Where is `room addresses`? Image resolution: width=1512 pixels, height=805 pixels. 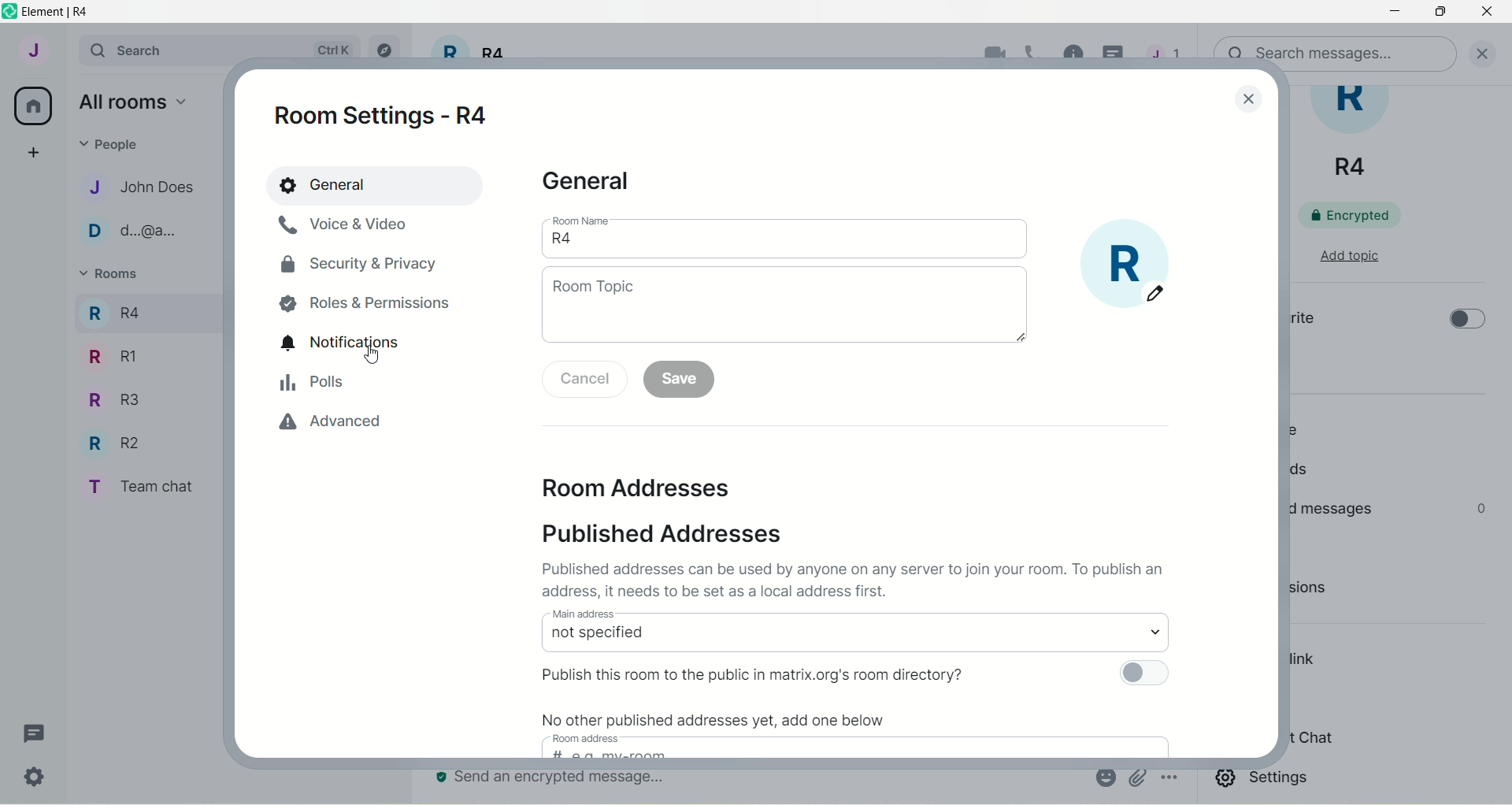 room addresses is located at coordinates (641, 488).